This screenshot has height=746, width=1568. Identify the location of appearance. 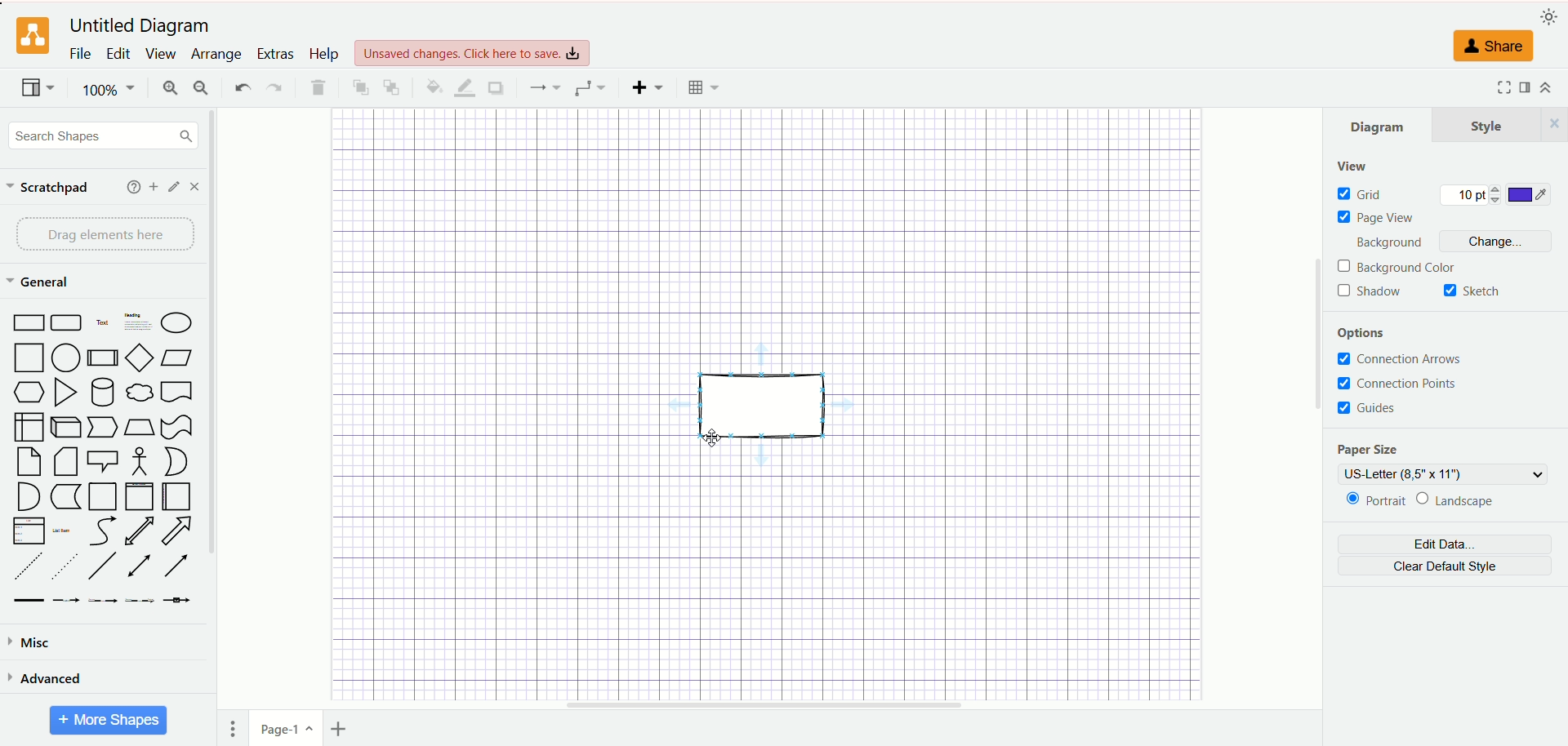
(1545, 16).